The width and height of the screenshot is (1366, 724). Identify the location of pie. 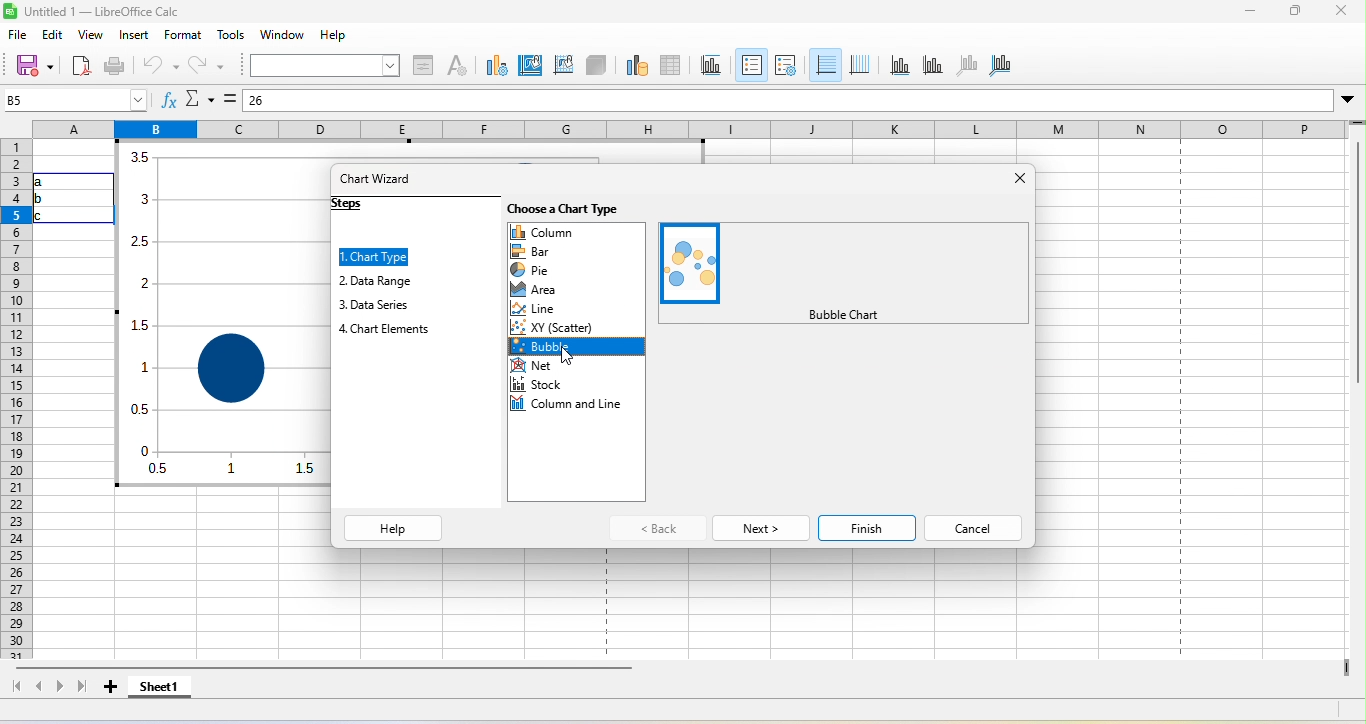
(537, 271).